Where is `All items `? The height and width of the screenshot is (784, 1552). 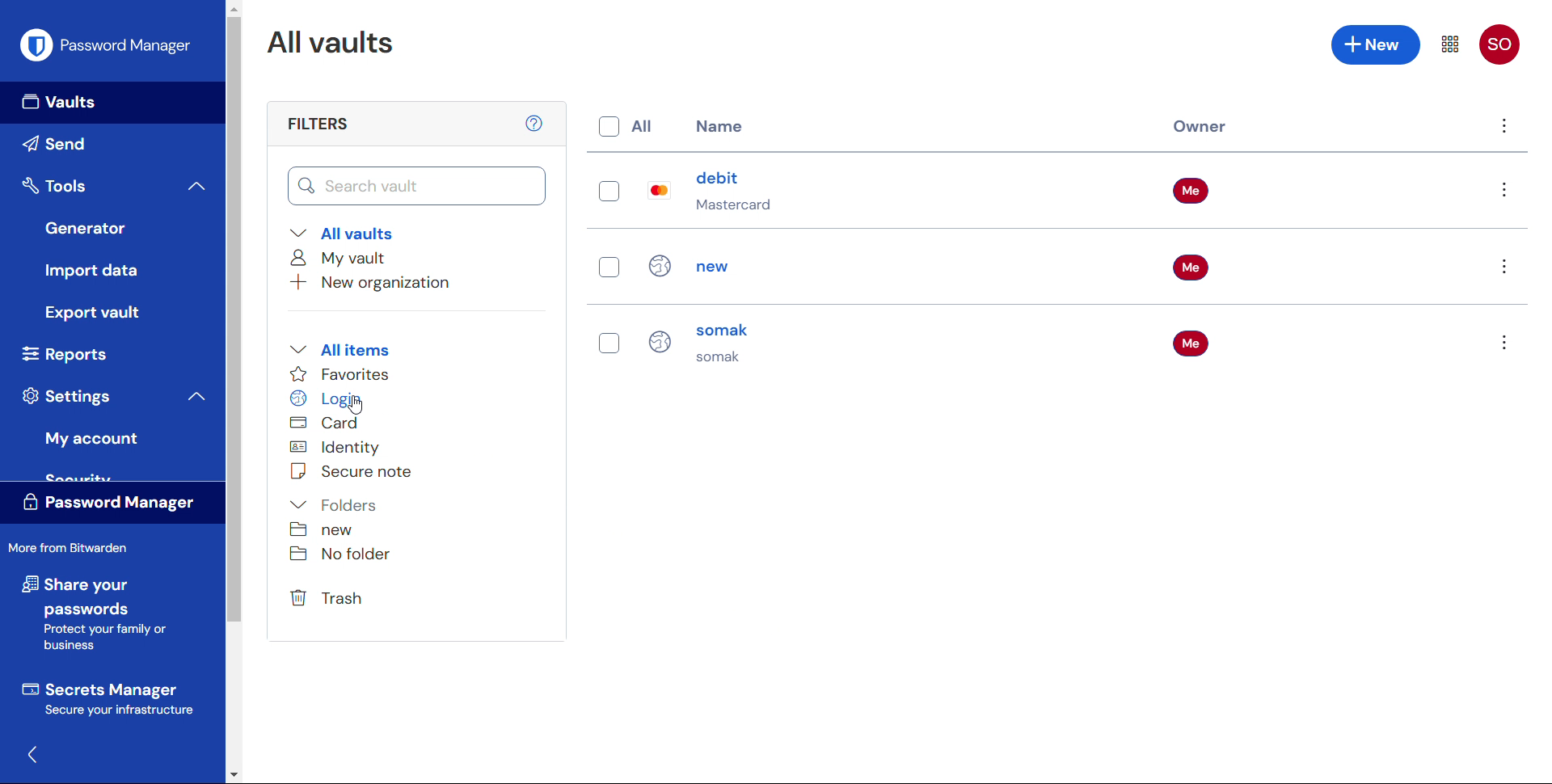
All items  is located at coordinates (341, 351).